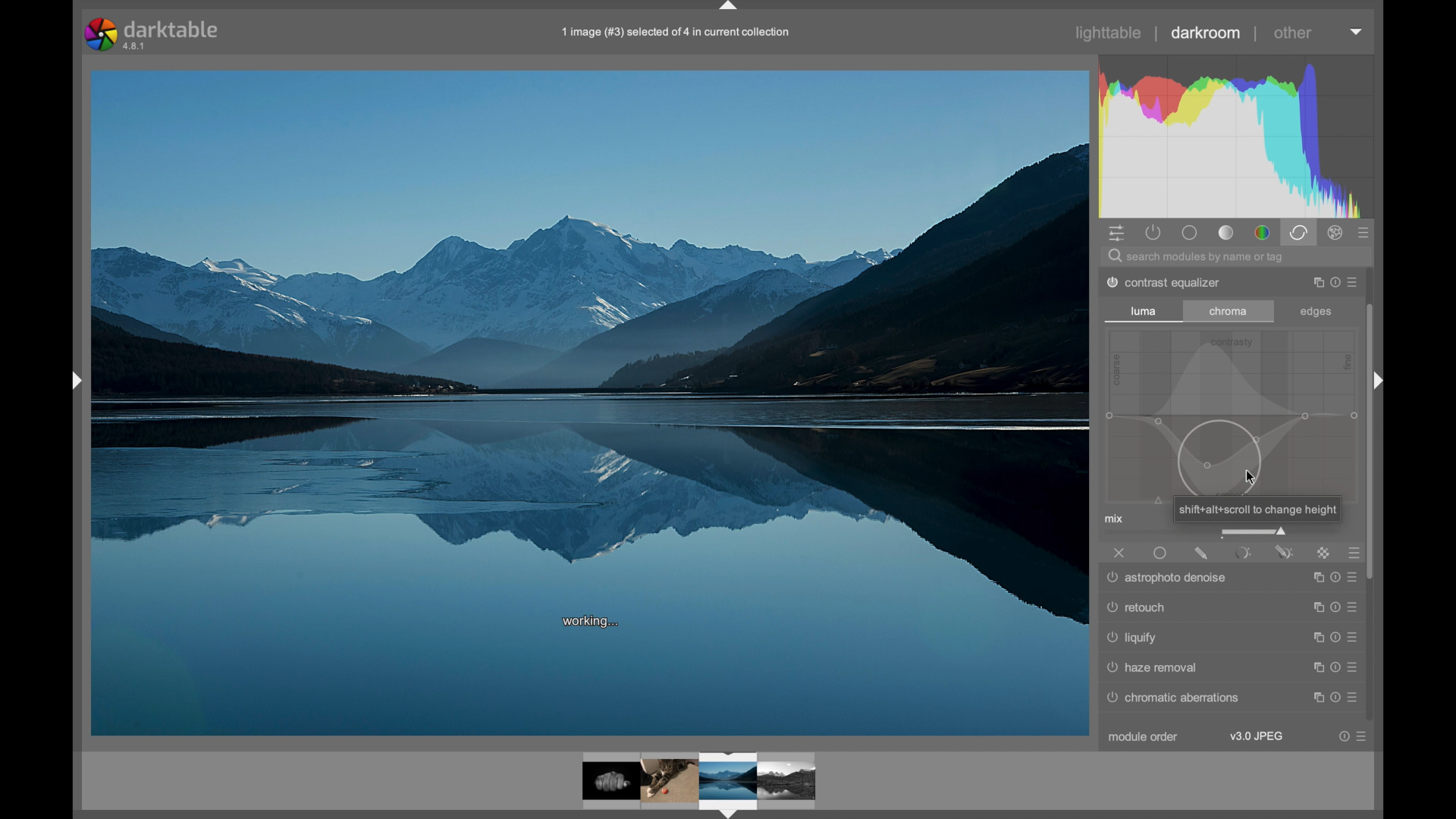  I want to click on astrophotographers Denise, so click(1169, 579).